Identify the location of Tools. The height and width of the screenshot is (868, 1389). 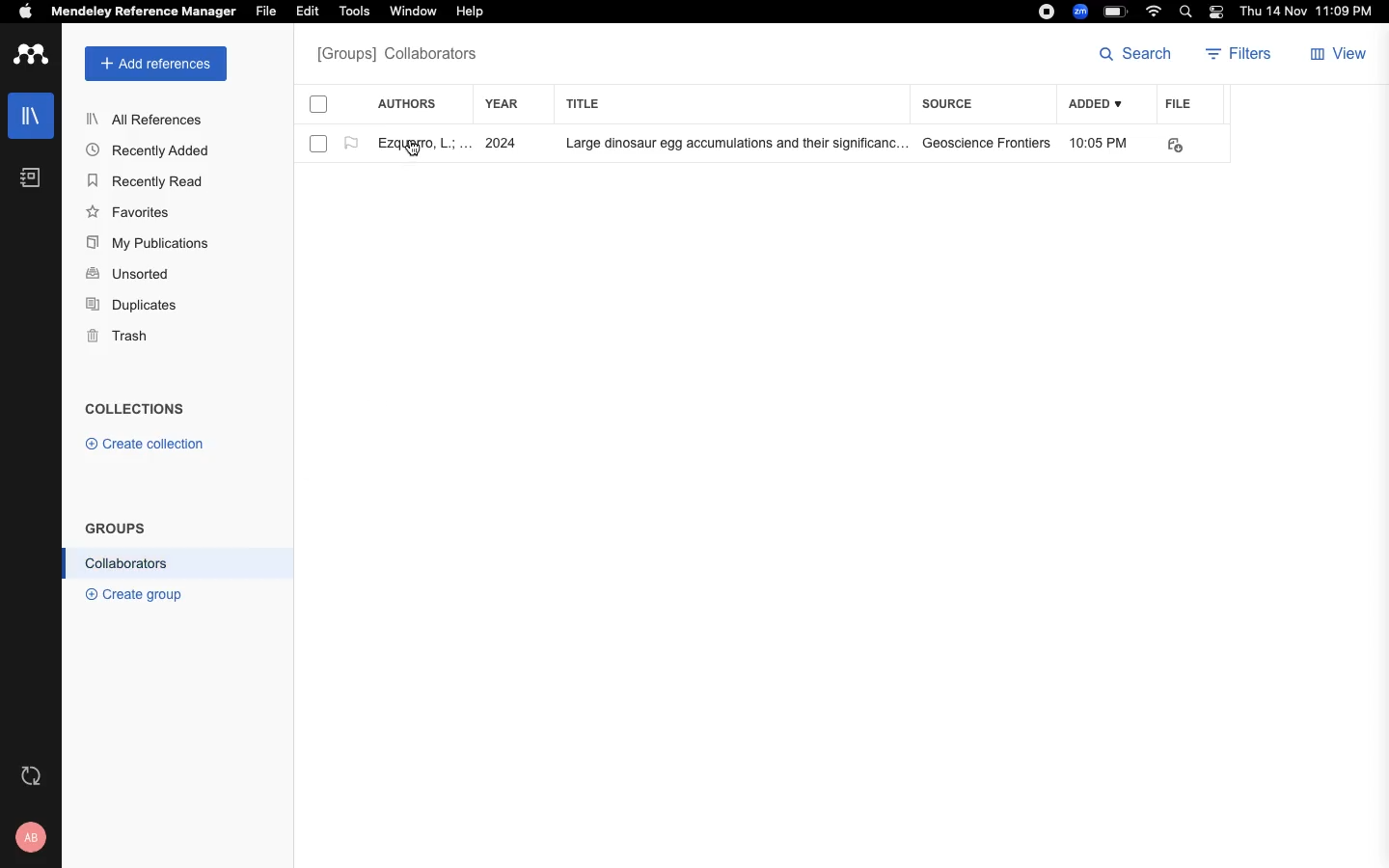
(354, 13).